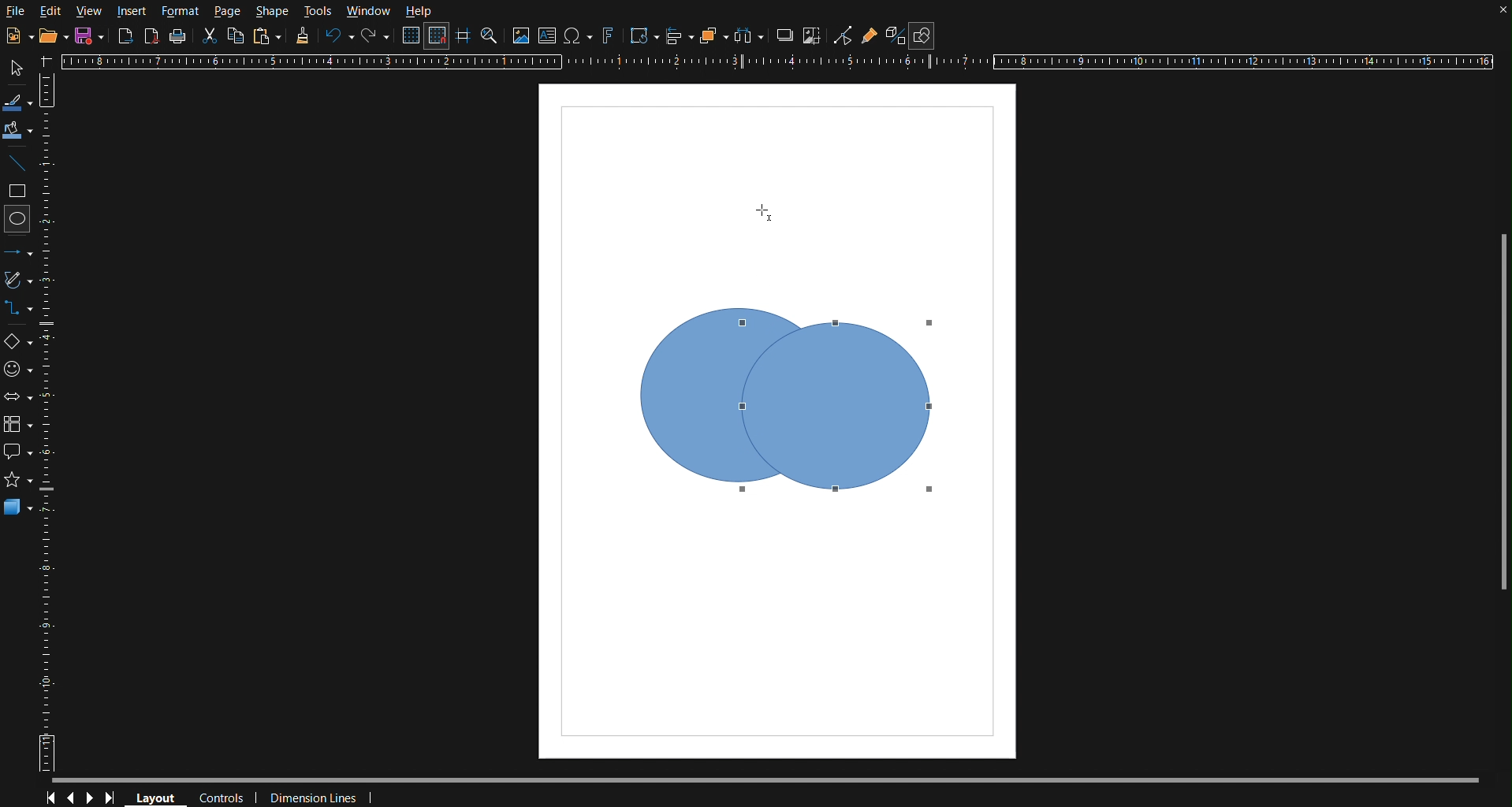 The image size is (1512, 807). What do you see at coordinates (1497, 407) in the screenshot?
I see `Scrollbar` at bounding box center [1497, 407].